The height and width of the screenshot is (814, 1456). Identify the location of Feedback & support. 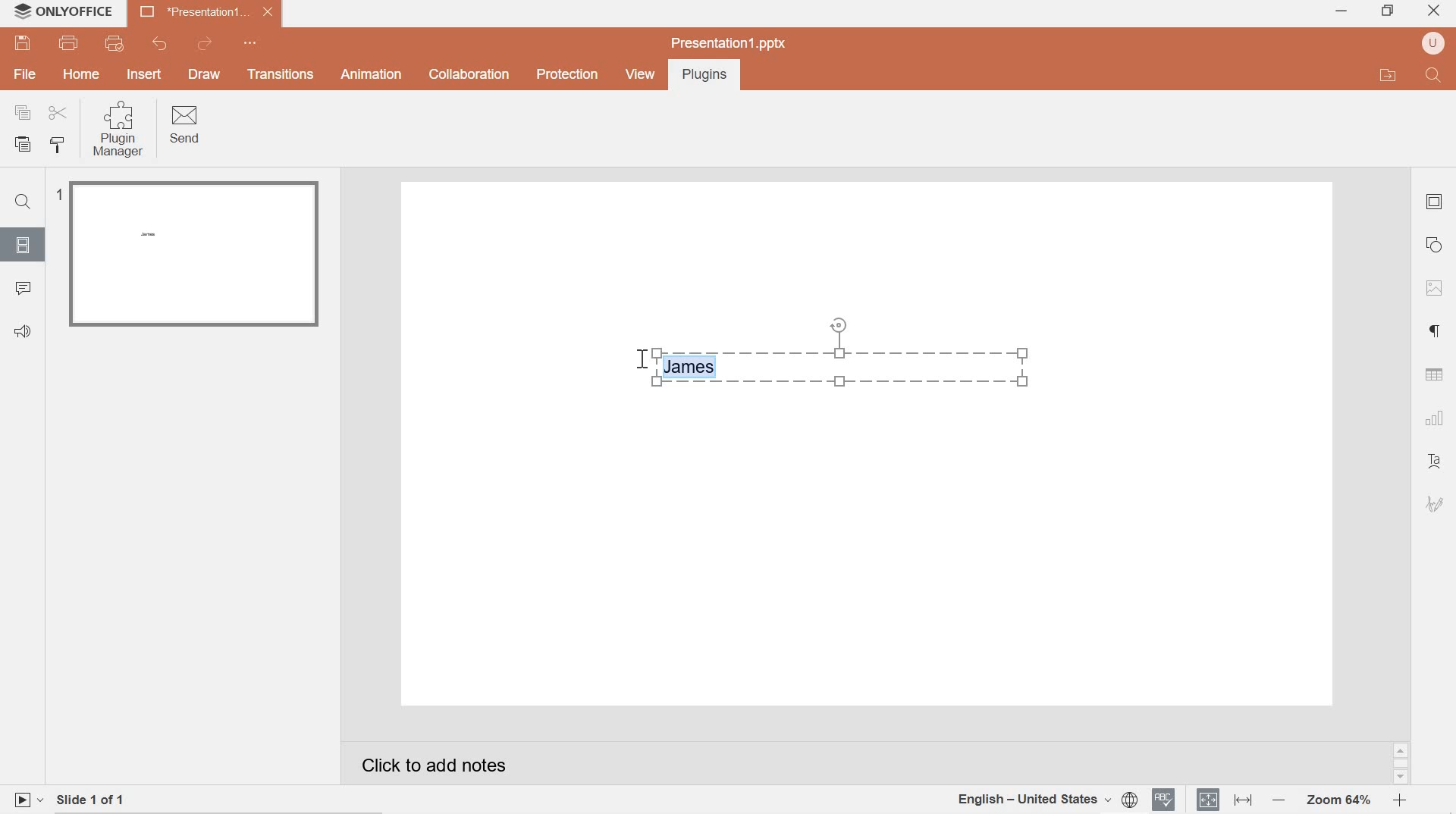
(23, 331).